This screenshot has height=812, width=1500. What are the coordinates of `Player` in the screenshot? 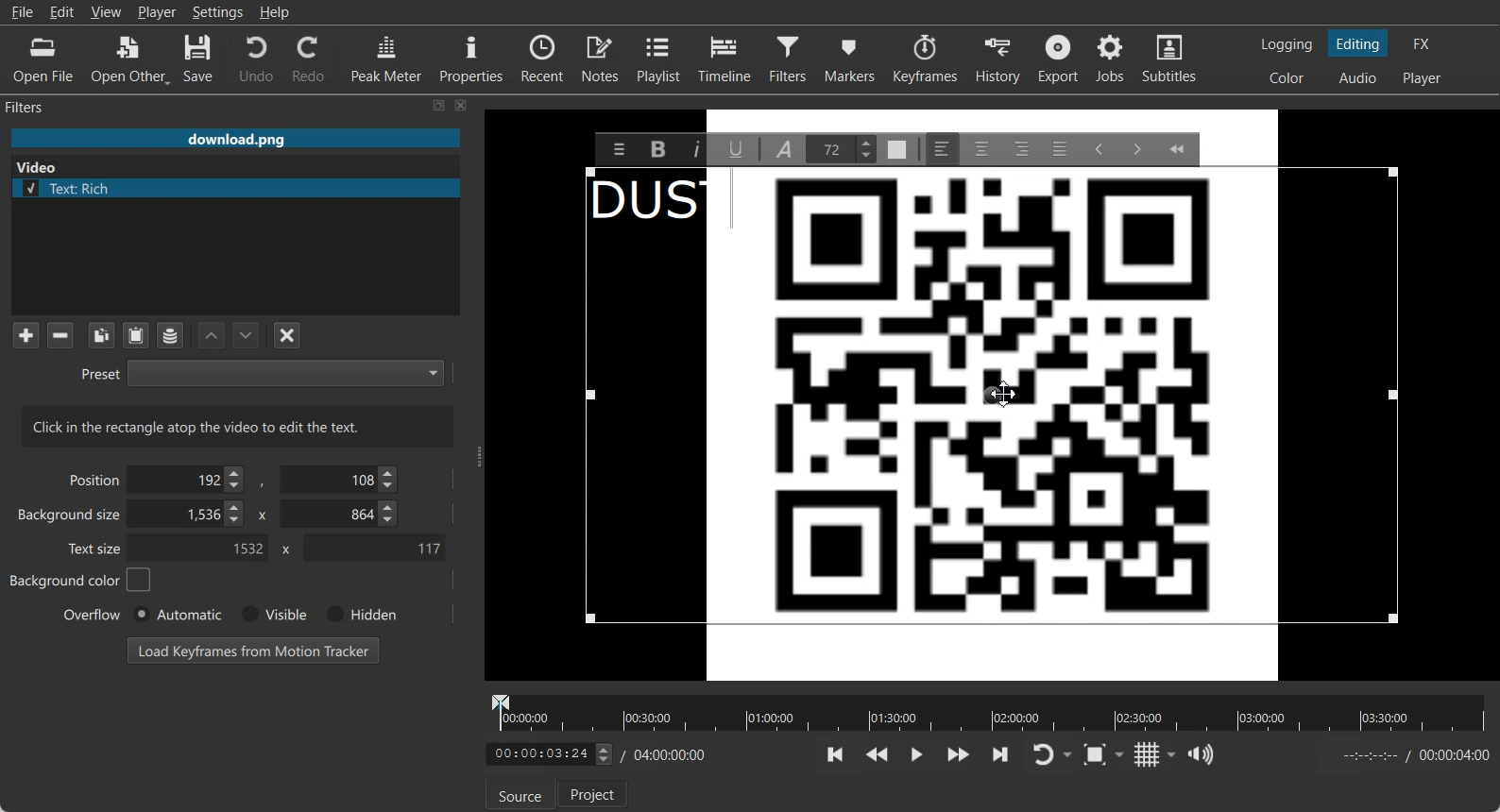 It's located at (158, 12).